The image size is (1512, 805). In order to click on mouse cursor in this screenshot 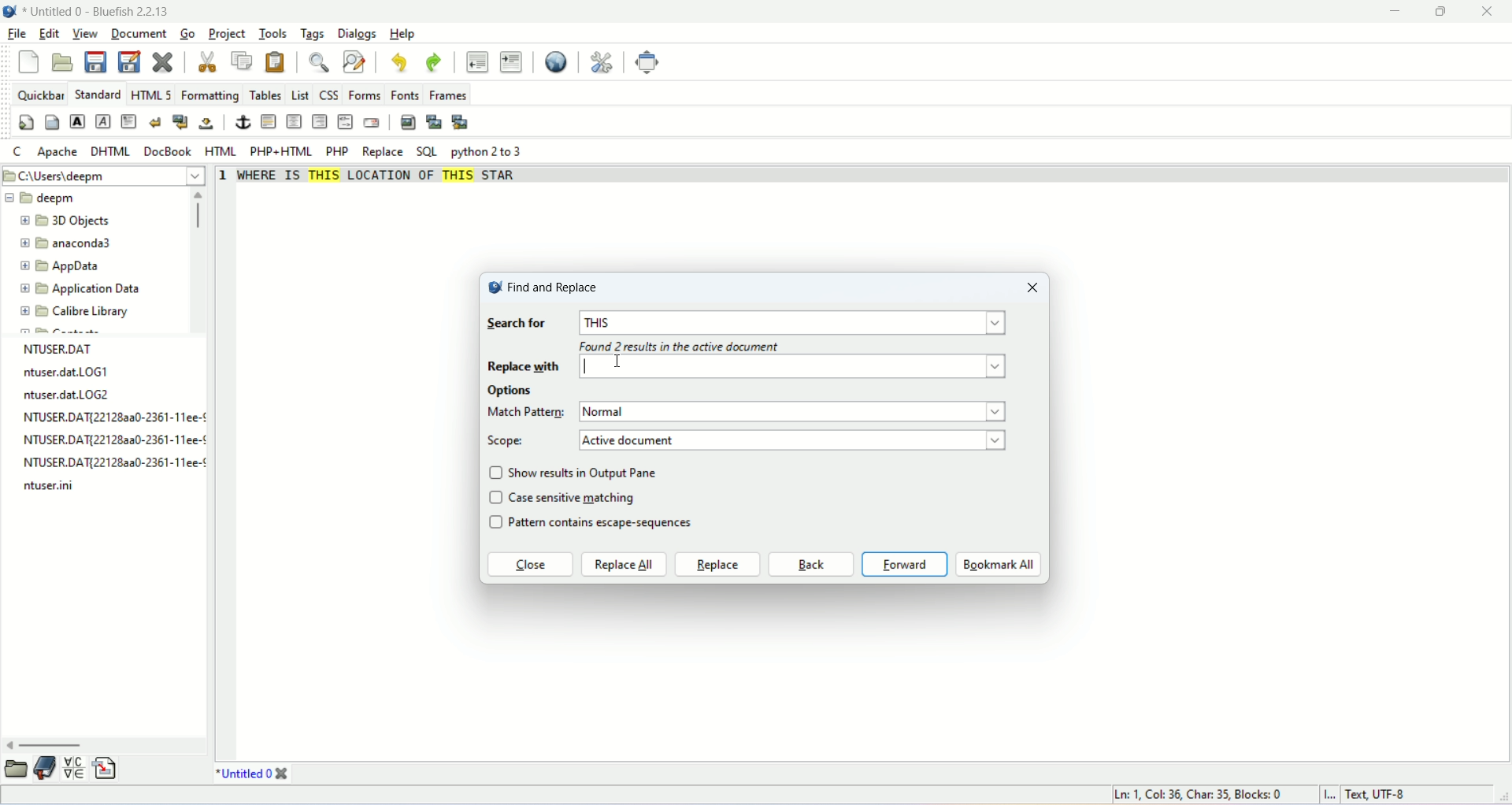, I will do `click(594, 365)`.